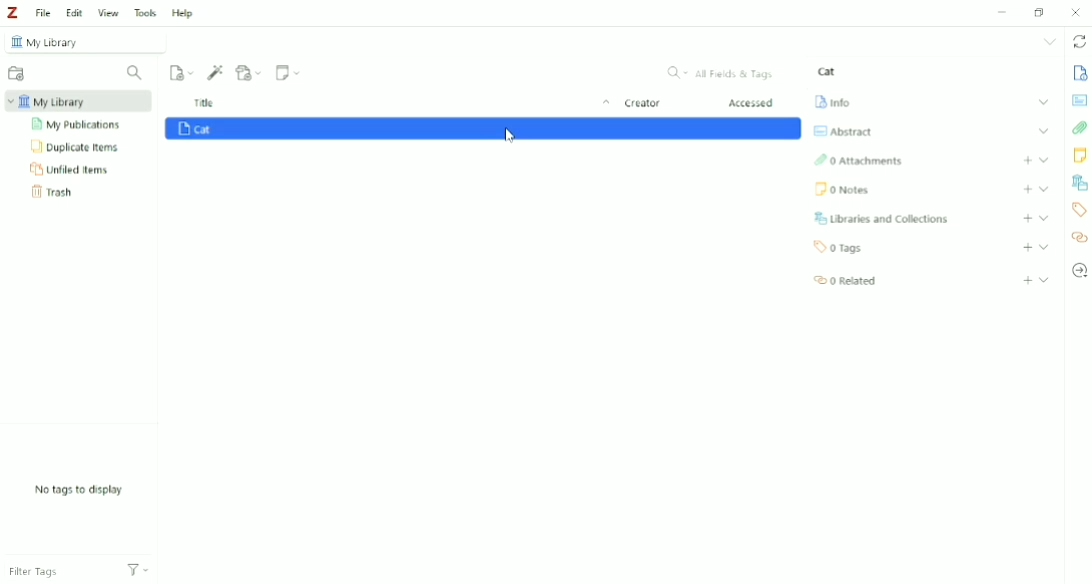 The image size is (1092, 584). What do you see at coordinates (1080, 129) in the screenshot?
I see `Attachments` at bounding box center [1080, 129].